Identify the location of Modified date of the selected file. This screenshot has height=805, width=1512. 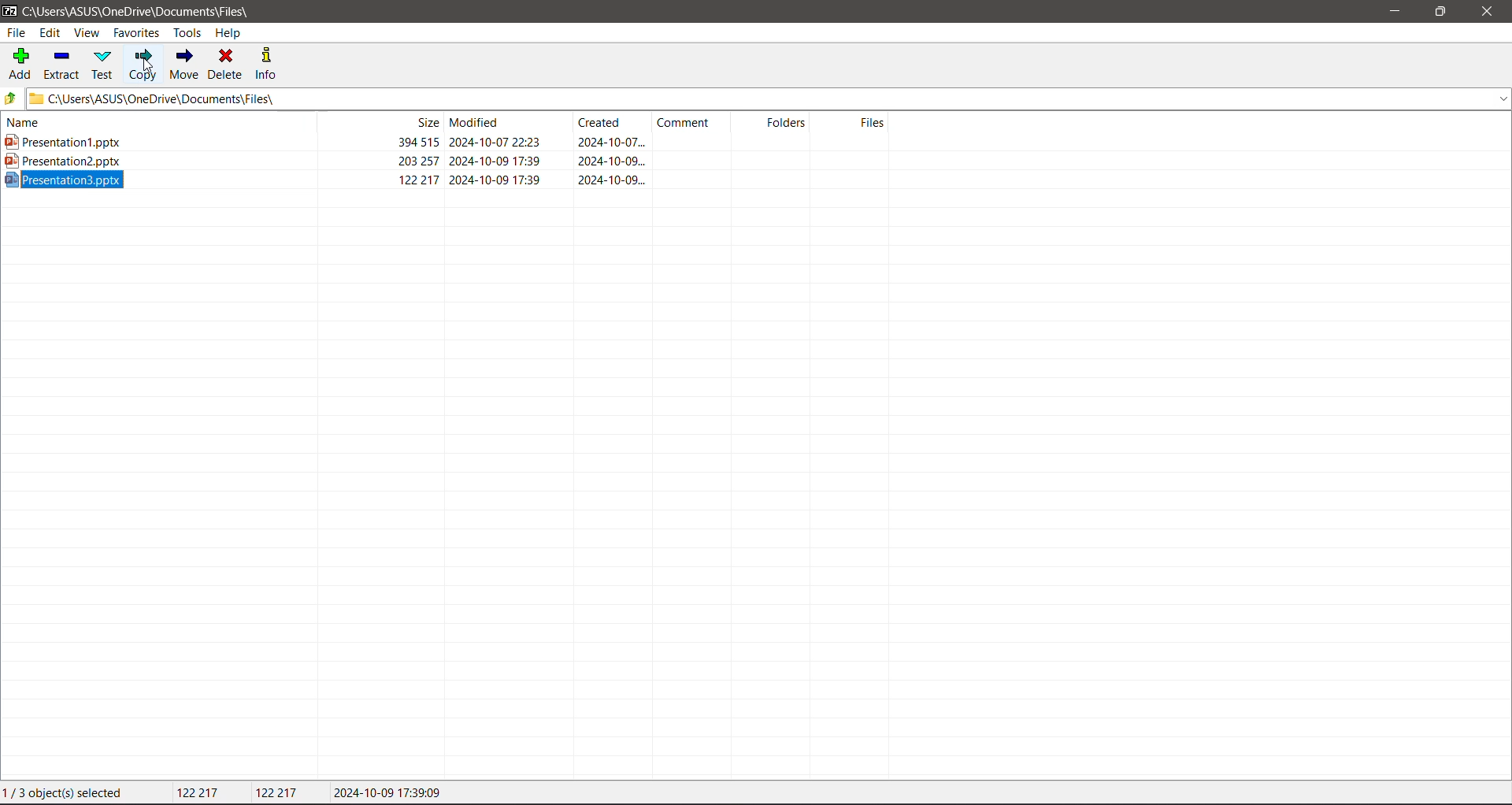
(392, 793).